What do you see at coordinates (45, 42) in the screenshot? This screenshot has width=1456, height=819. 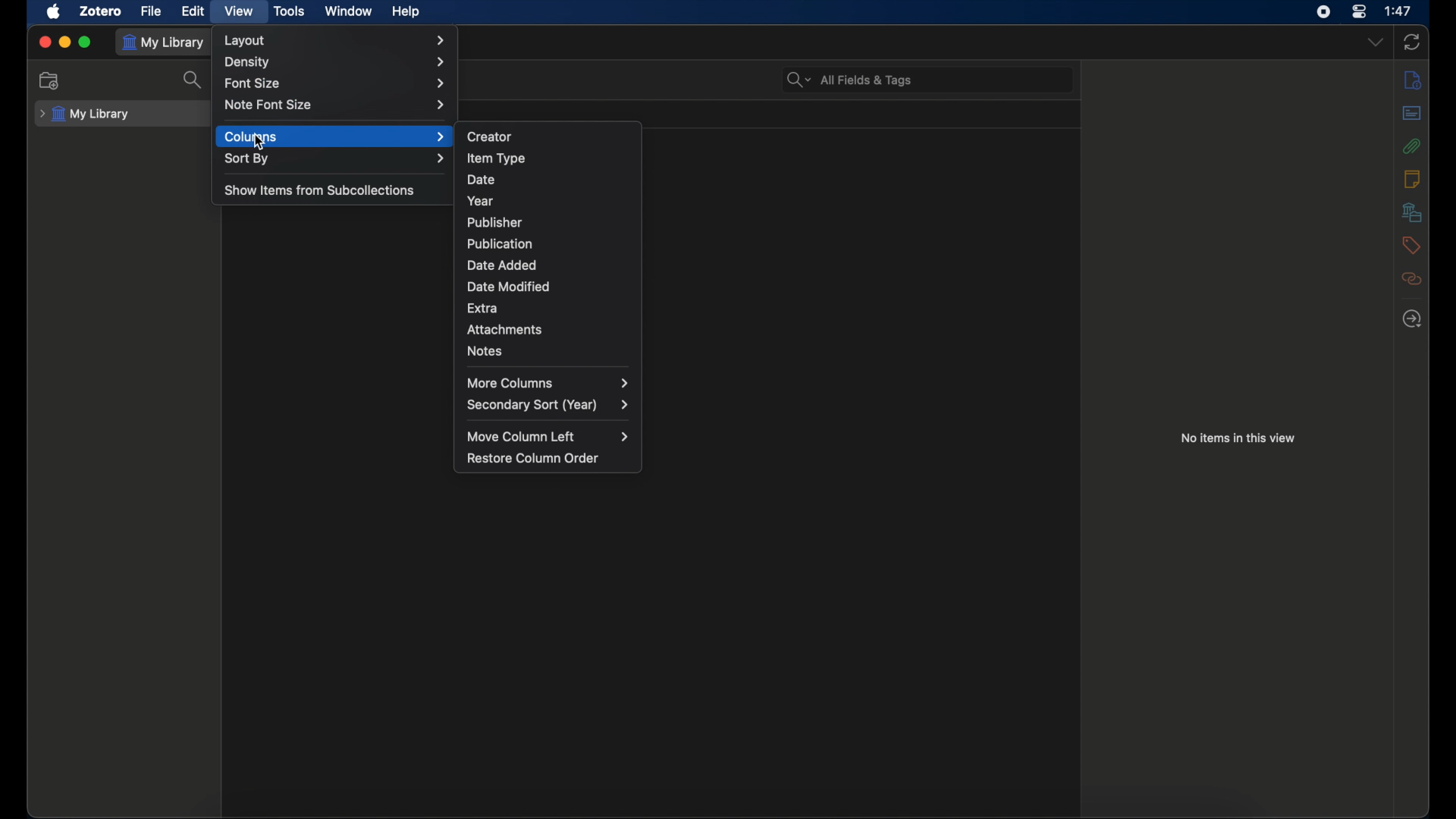 I see `close` at bounding box center [45, 42].